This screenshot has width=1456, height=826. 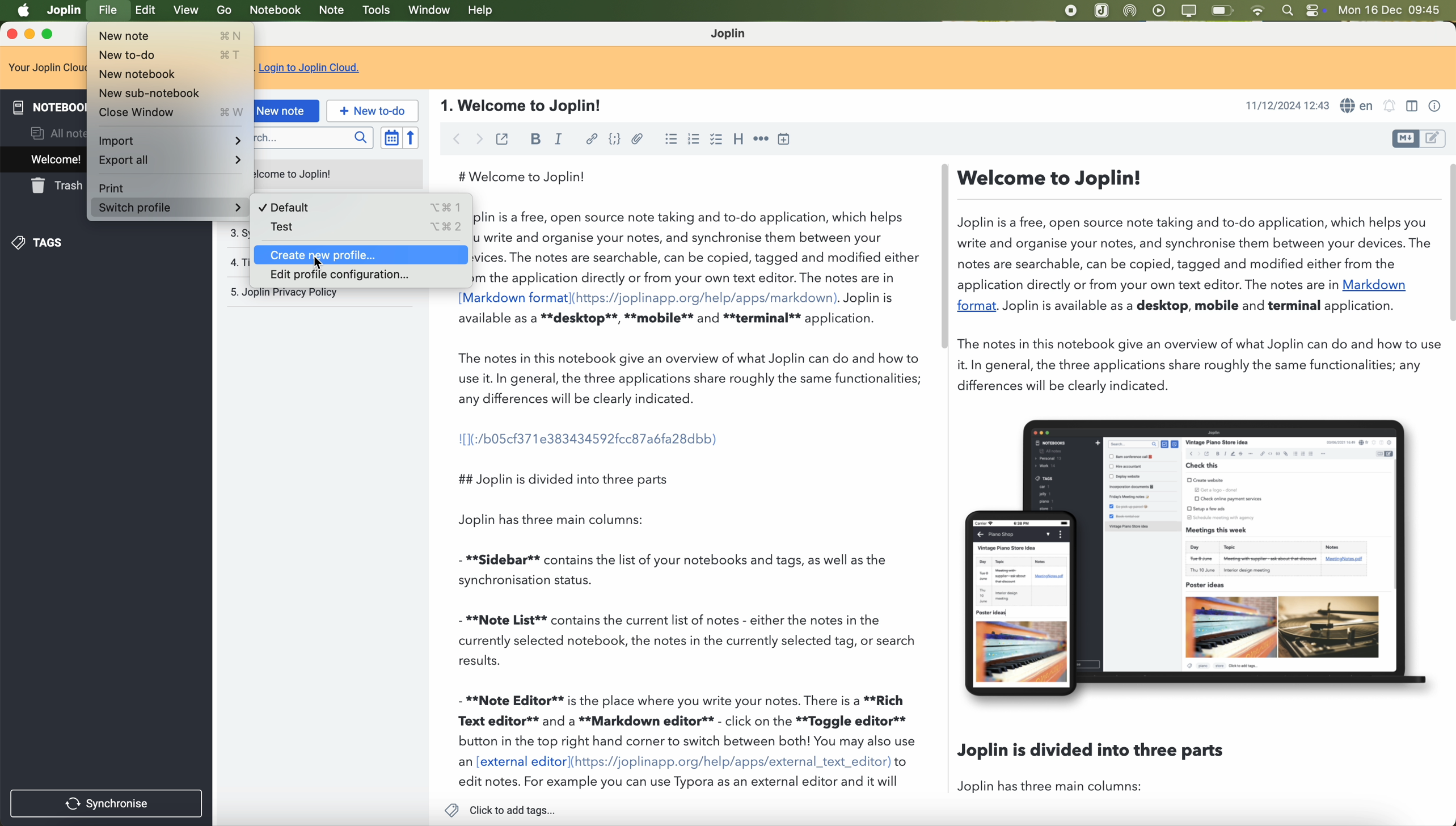 What do you see at coordinates (167, 37) in the screenshot?
I see `New note` at bounding box center [167, 37].